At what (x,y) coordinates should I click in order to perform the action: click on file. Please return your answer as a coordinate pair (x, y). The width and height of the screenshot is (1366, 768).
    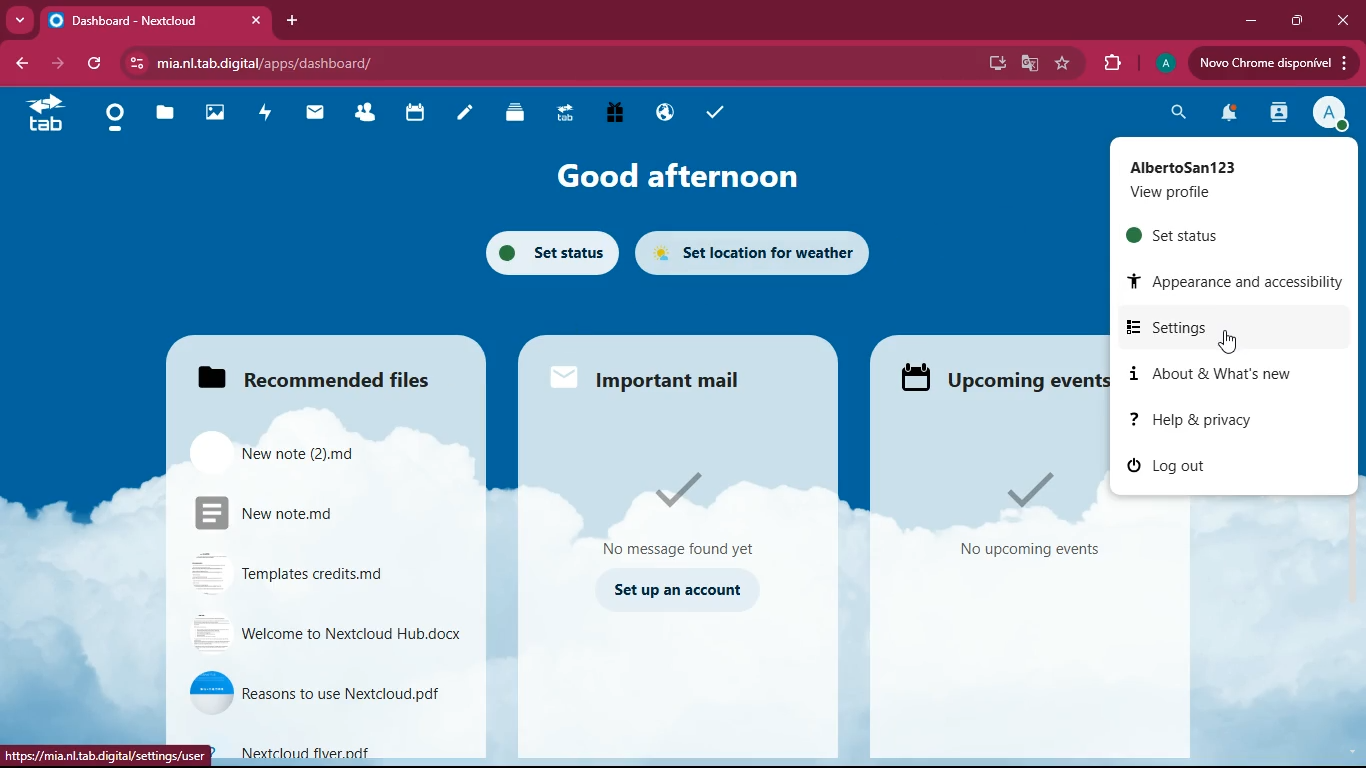
    Looking at the image, I should click on (329, 694).